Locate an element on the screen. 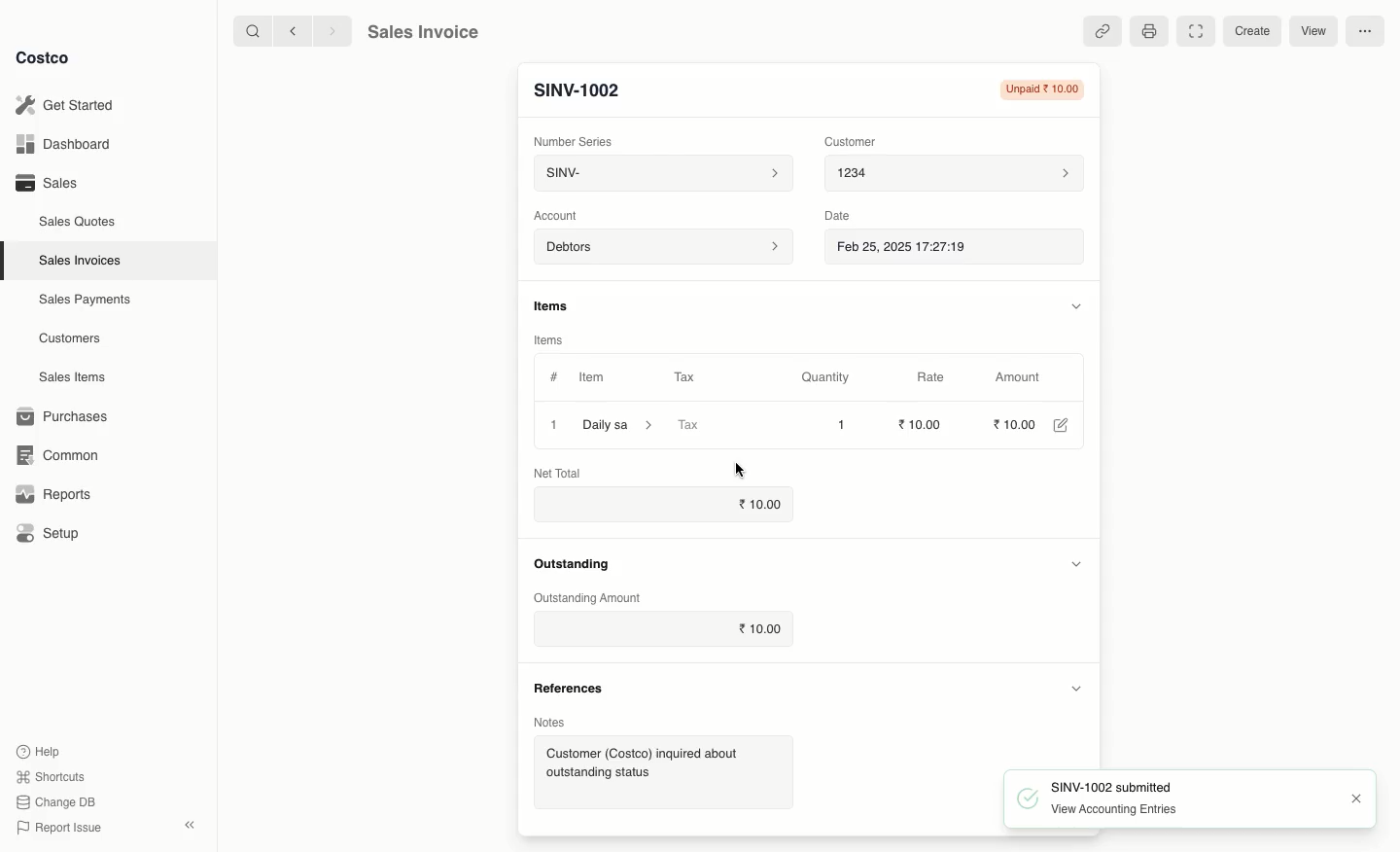 Image resolution: width=1400 pixels, height=852 pixels. Common is located at coordinates (60, 456).